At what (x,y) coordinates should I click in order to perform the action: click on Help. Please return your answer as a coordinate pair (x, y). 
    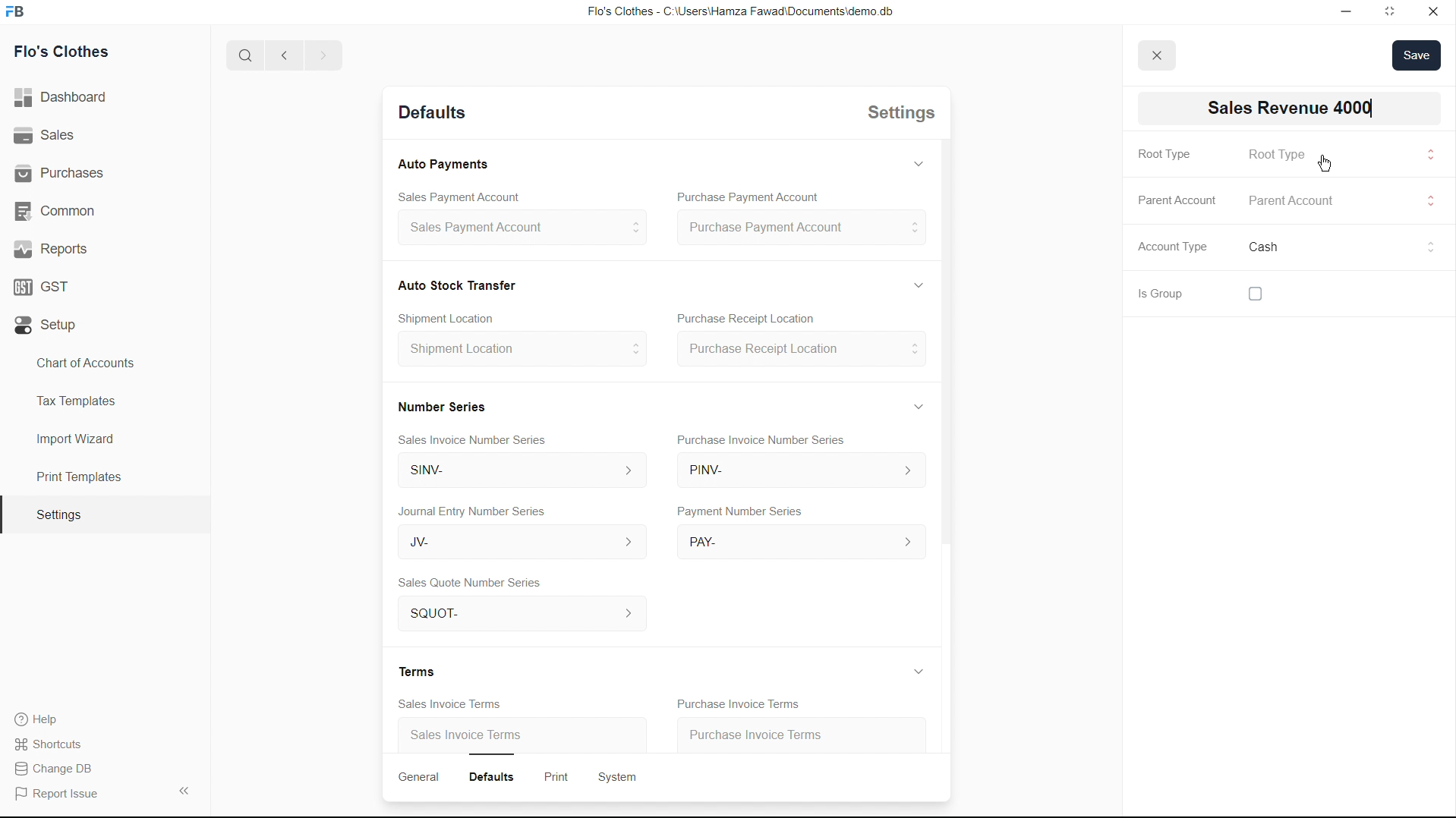
    Looking at the image, I should click on (43, 719).